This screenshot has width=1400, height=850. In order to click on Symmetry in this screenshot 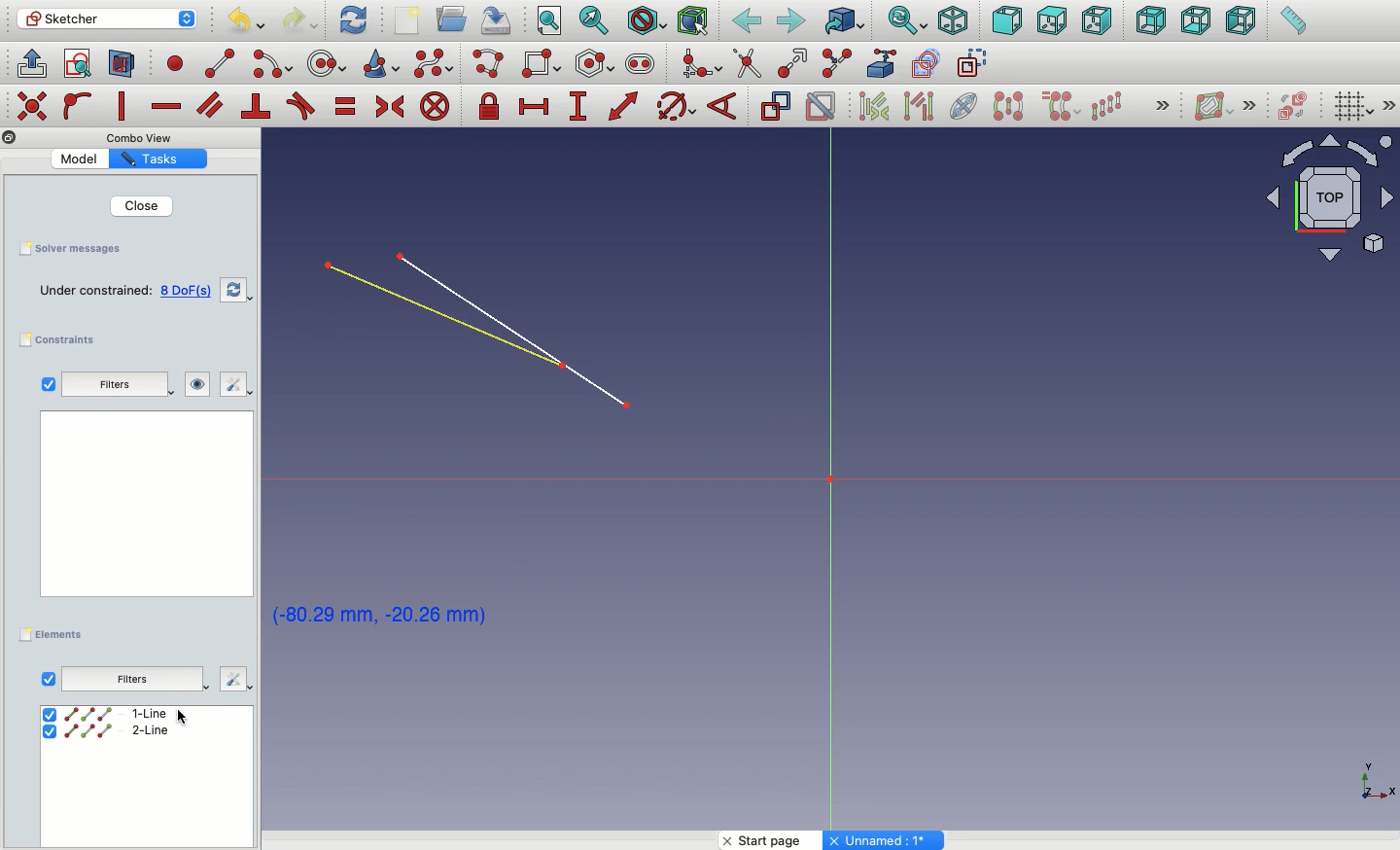, I will do `click(1007, 106)`.